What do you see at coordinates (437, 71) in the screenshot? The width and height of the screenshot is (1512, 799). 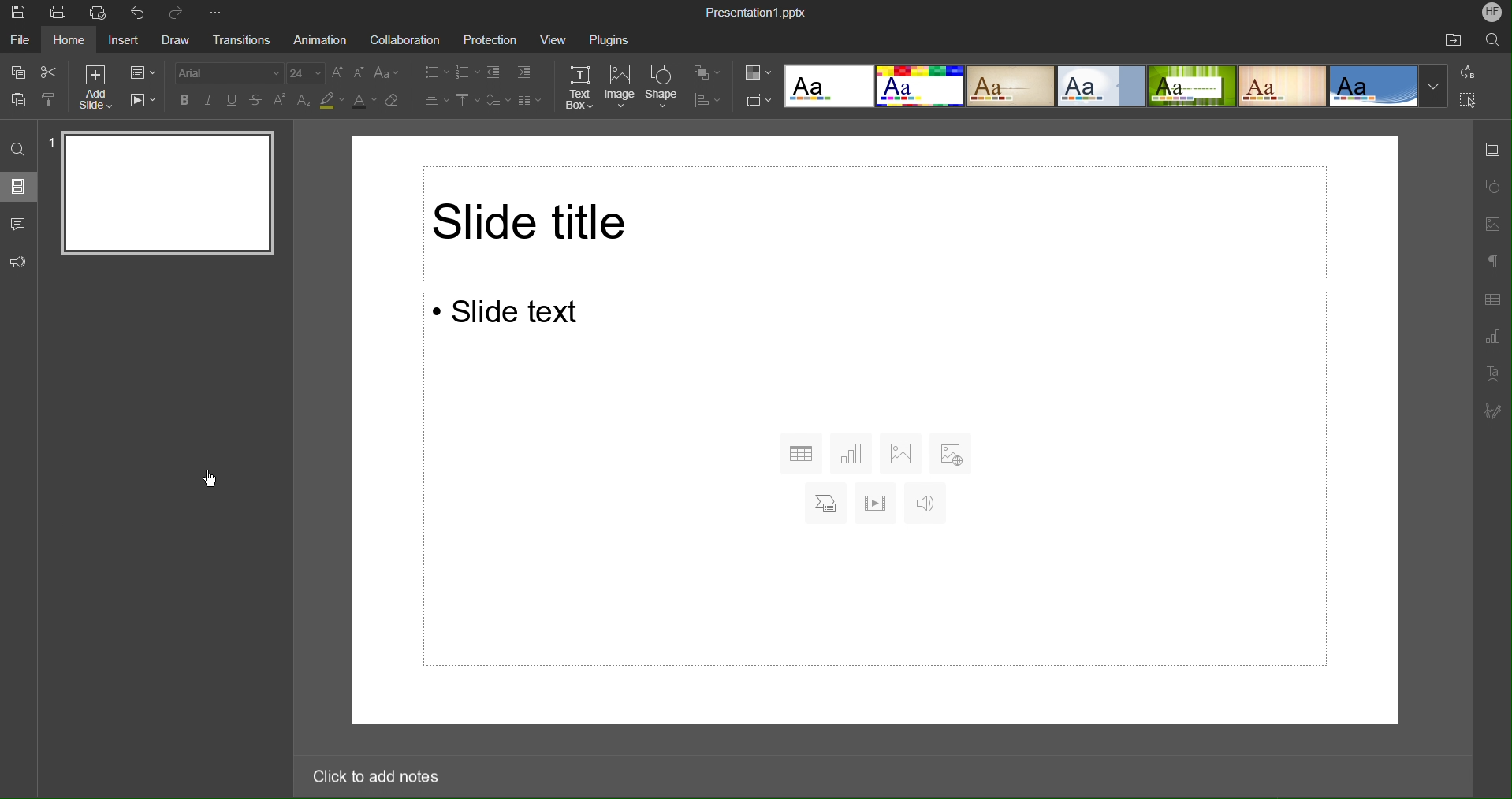 I see `Bullet List` at bounding box center [437, 71].